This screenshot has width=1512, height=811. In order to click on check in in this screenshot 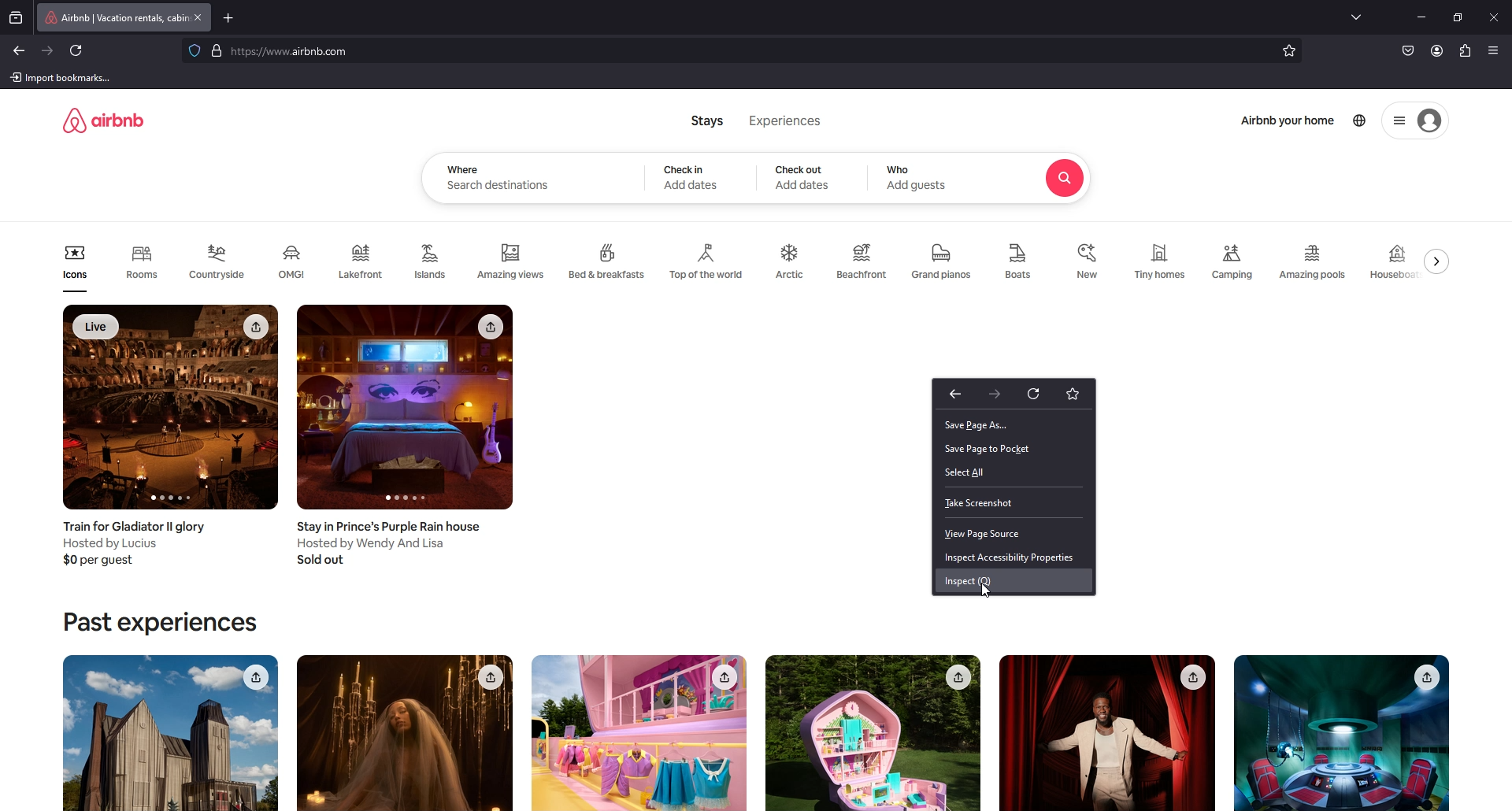, I will do `click(687, 168)`.